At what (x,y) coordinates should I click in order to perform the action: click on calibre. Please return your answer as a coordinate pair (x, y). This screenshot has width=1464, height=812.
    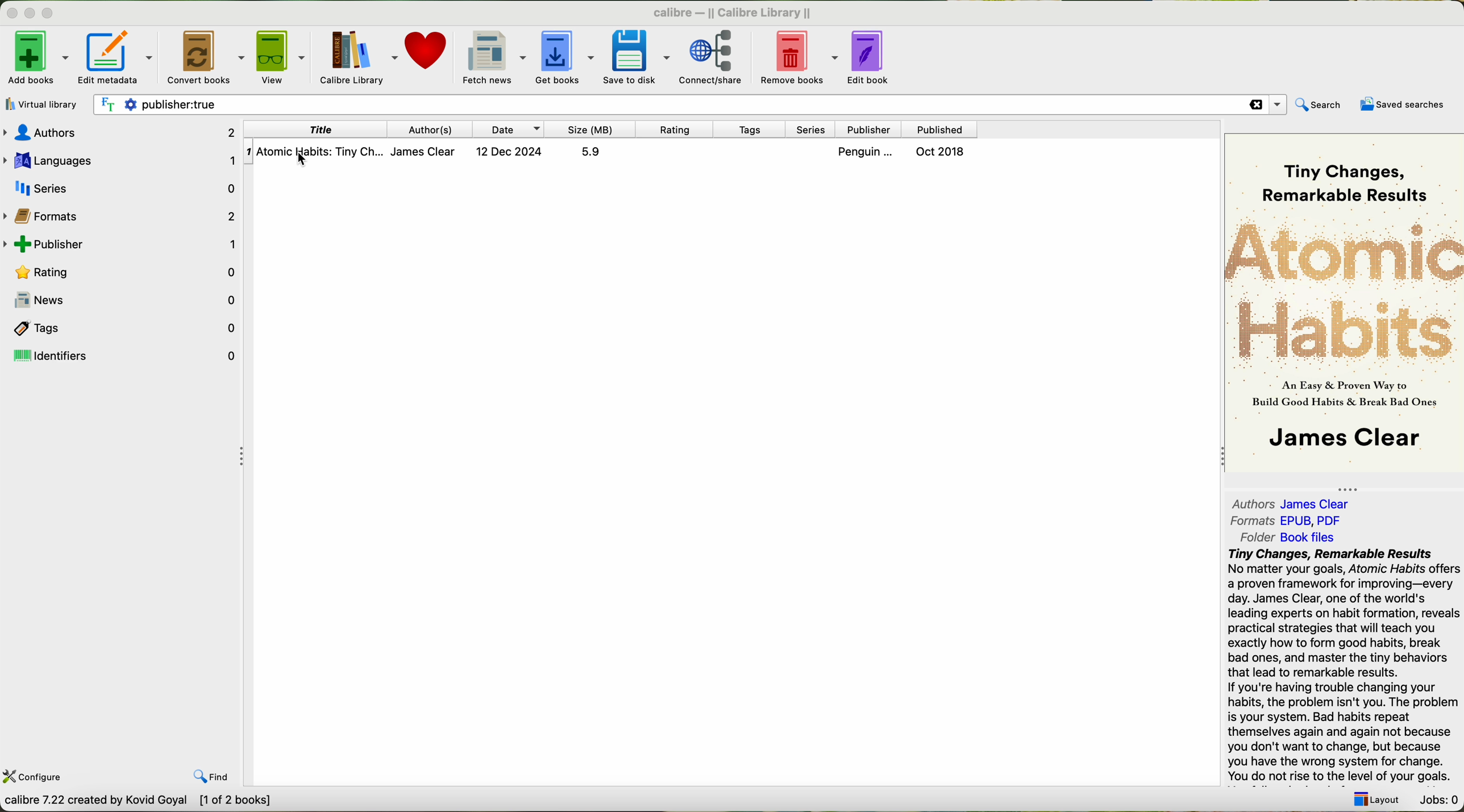
    Looking at the image, I should click on (731, 10).